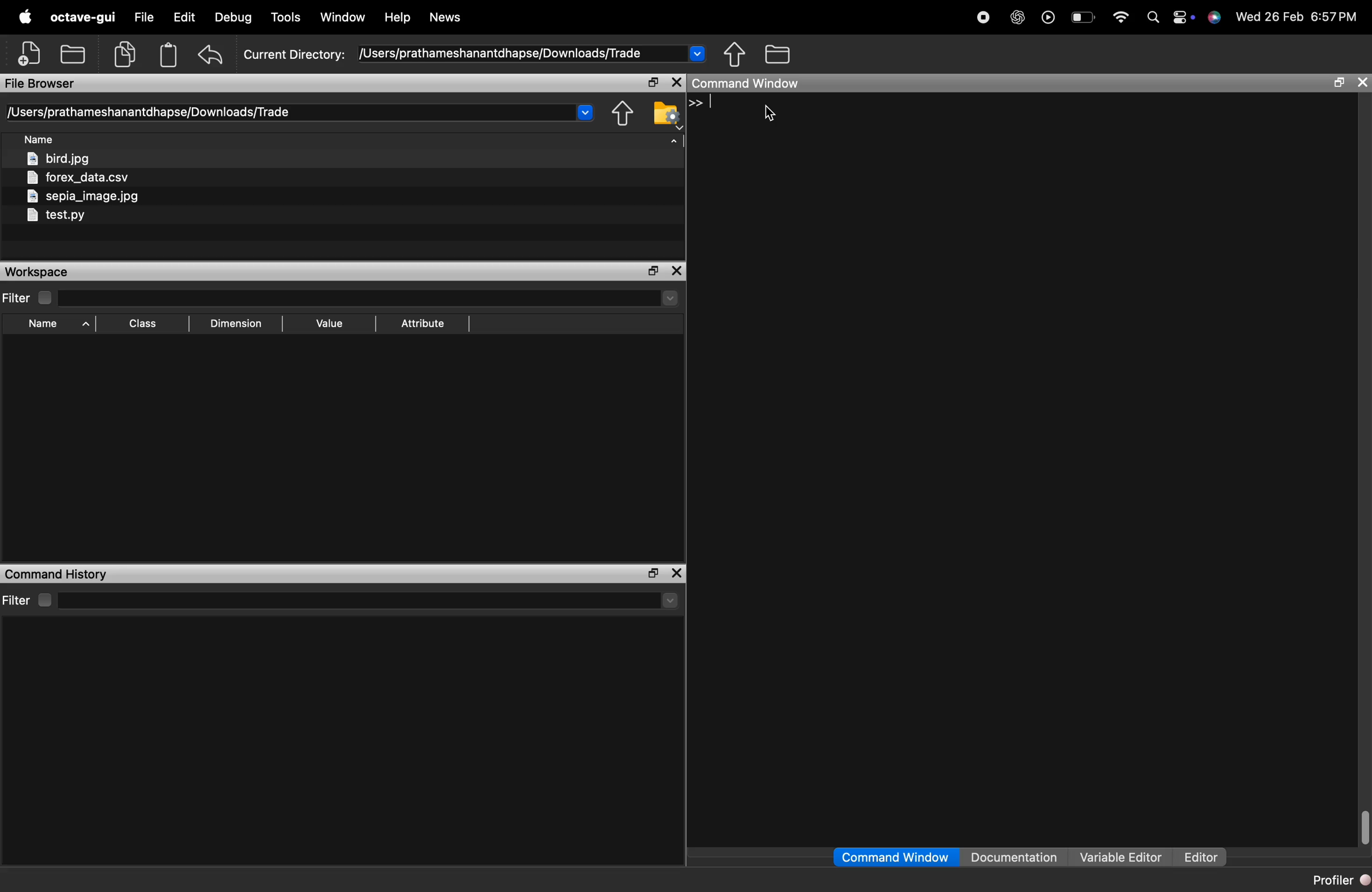 This screenshot has height=892, width=1372. Describe the element at coordinates (447, 18) in the screenshot. I see `news` at that location.